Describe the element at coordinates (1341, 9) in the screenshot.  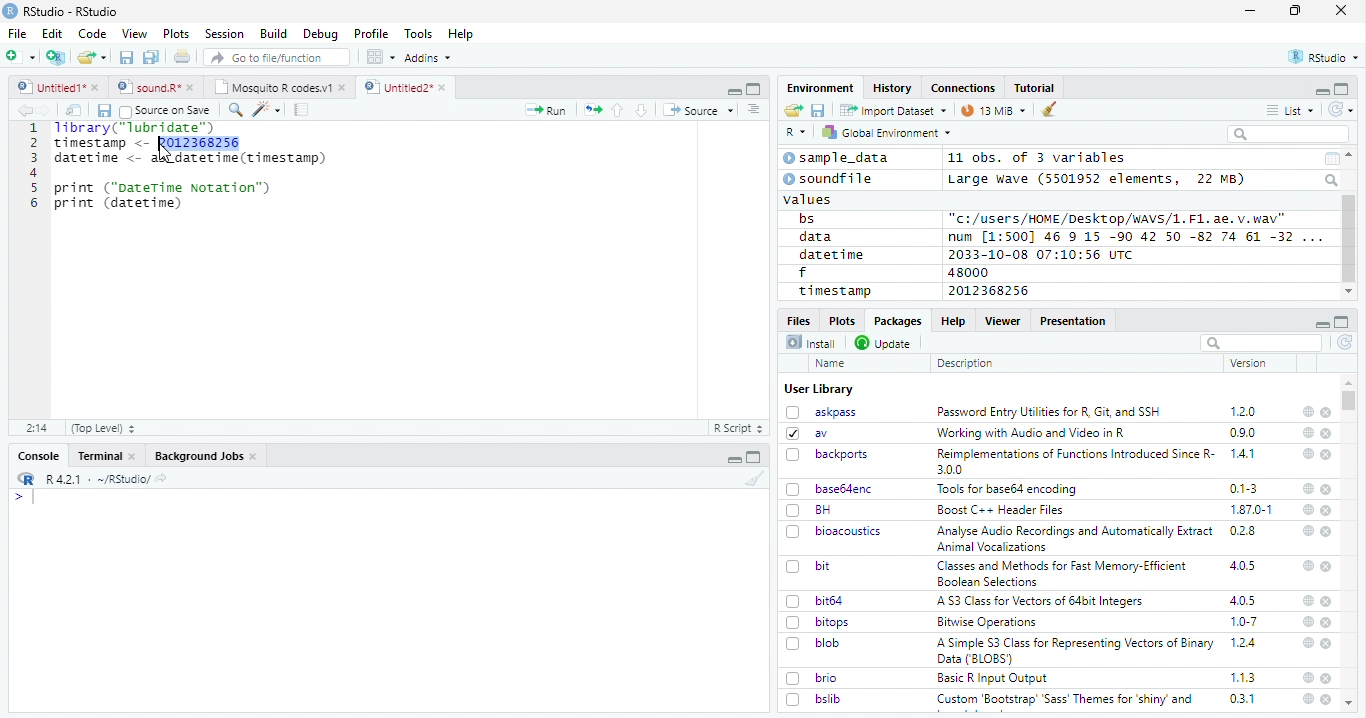
I see `close` at that location.